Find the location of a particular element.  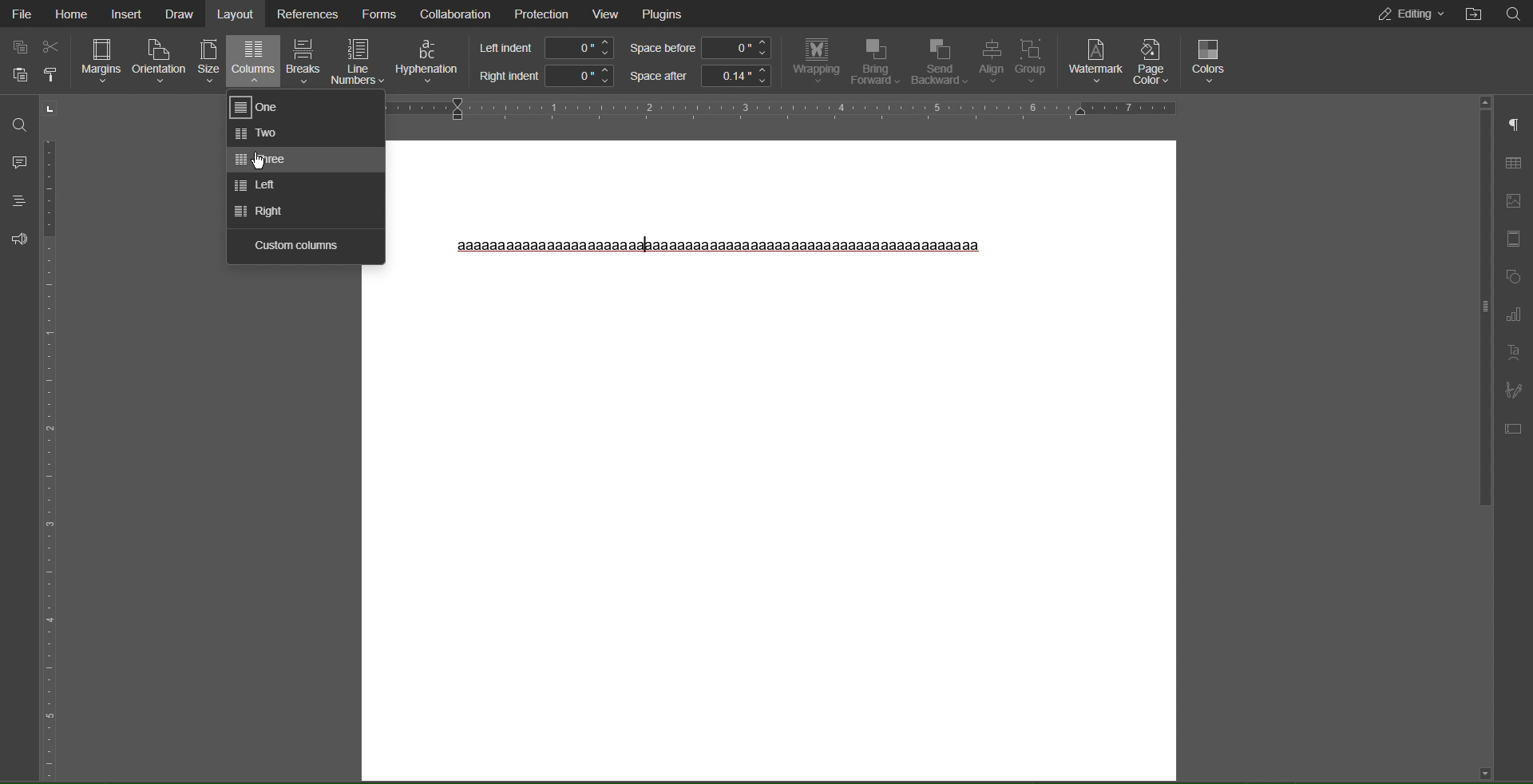

Left Indents is located at coordinates (543, 48).